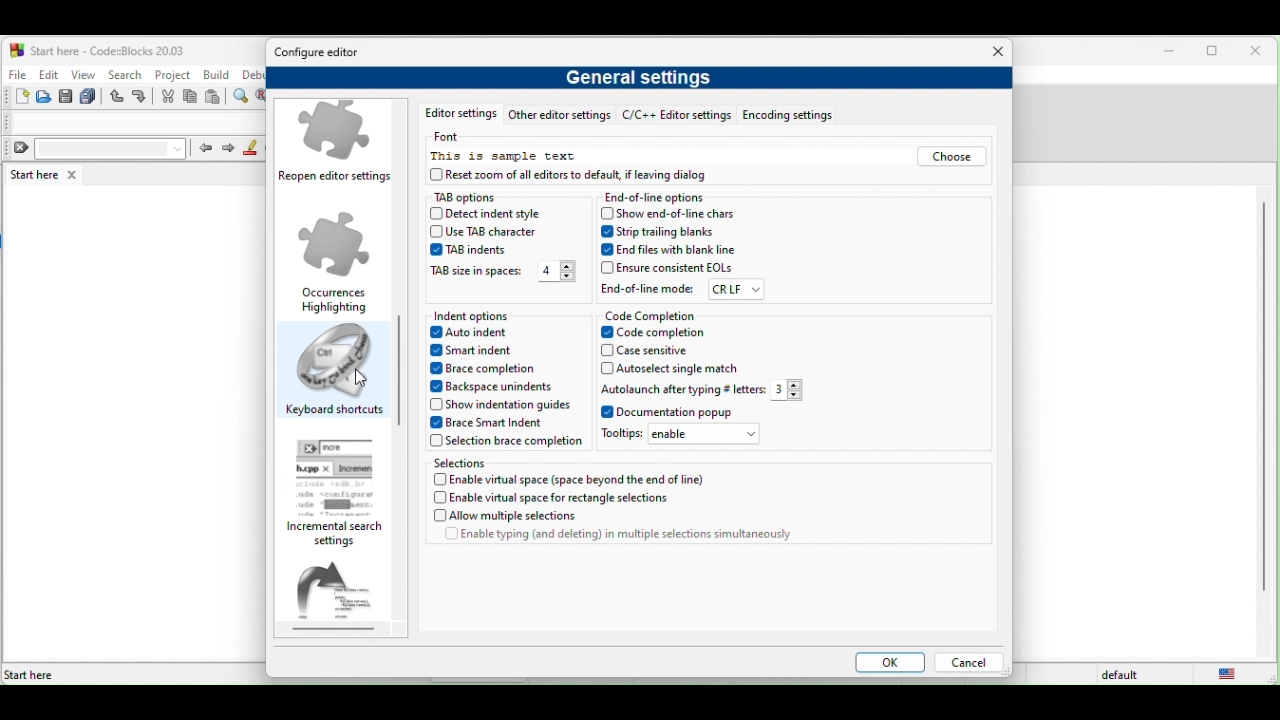  Describe the element at coordinates (191, 98) in the screenshot. I see `copy` at that location.